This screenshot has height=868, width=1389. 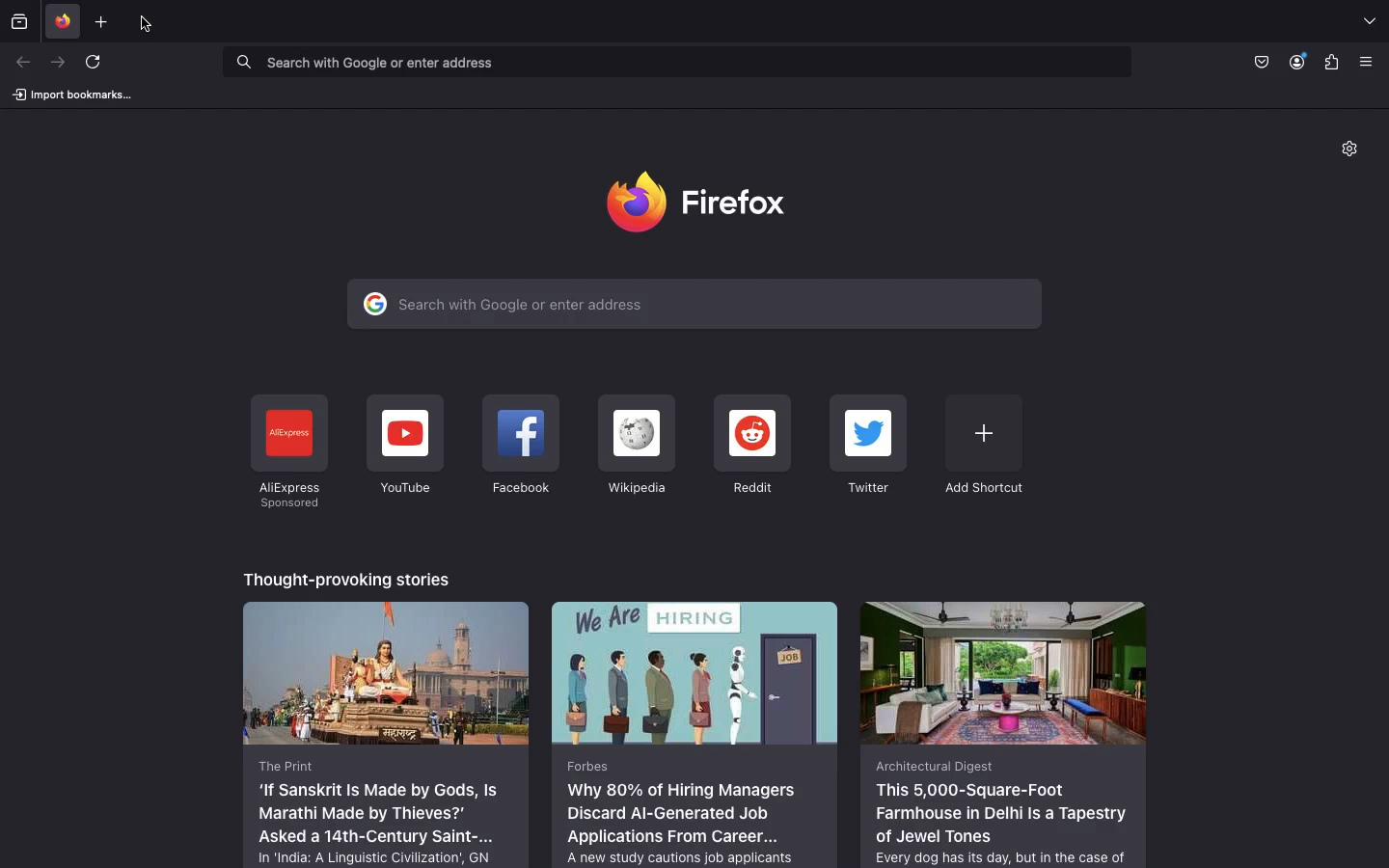 What do you see at coordinates (1369, 22) in the screenshot?
I see `List all tabs` at bounding box center [1369, 22].